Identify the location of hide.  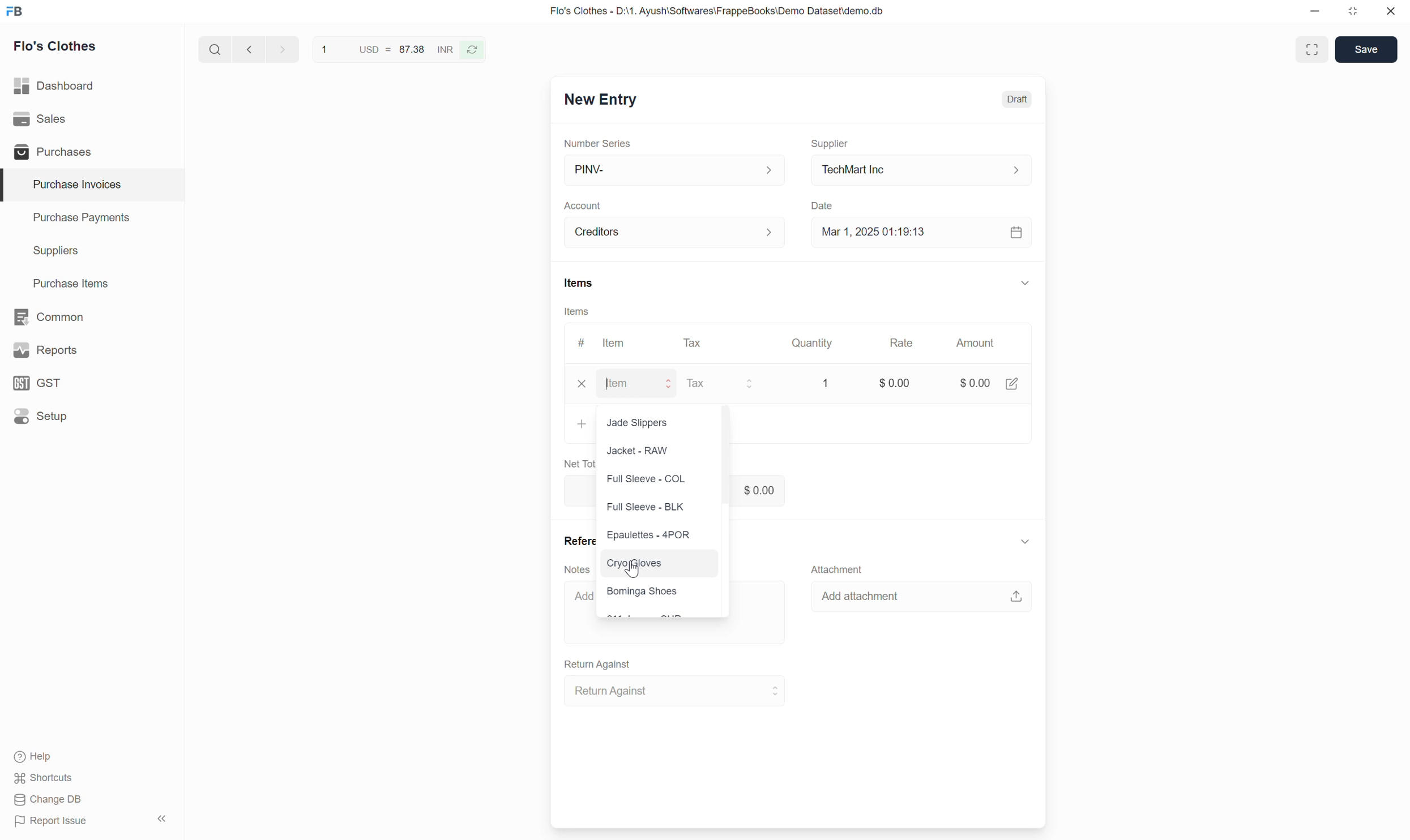
(160, 817).